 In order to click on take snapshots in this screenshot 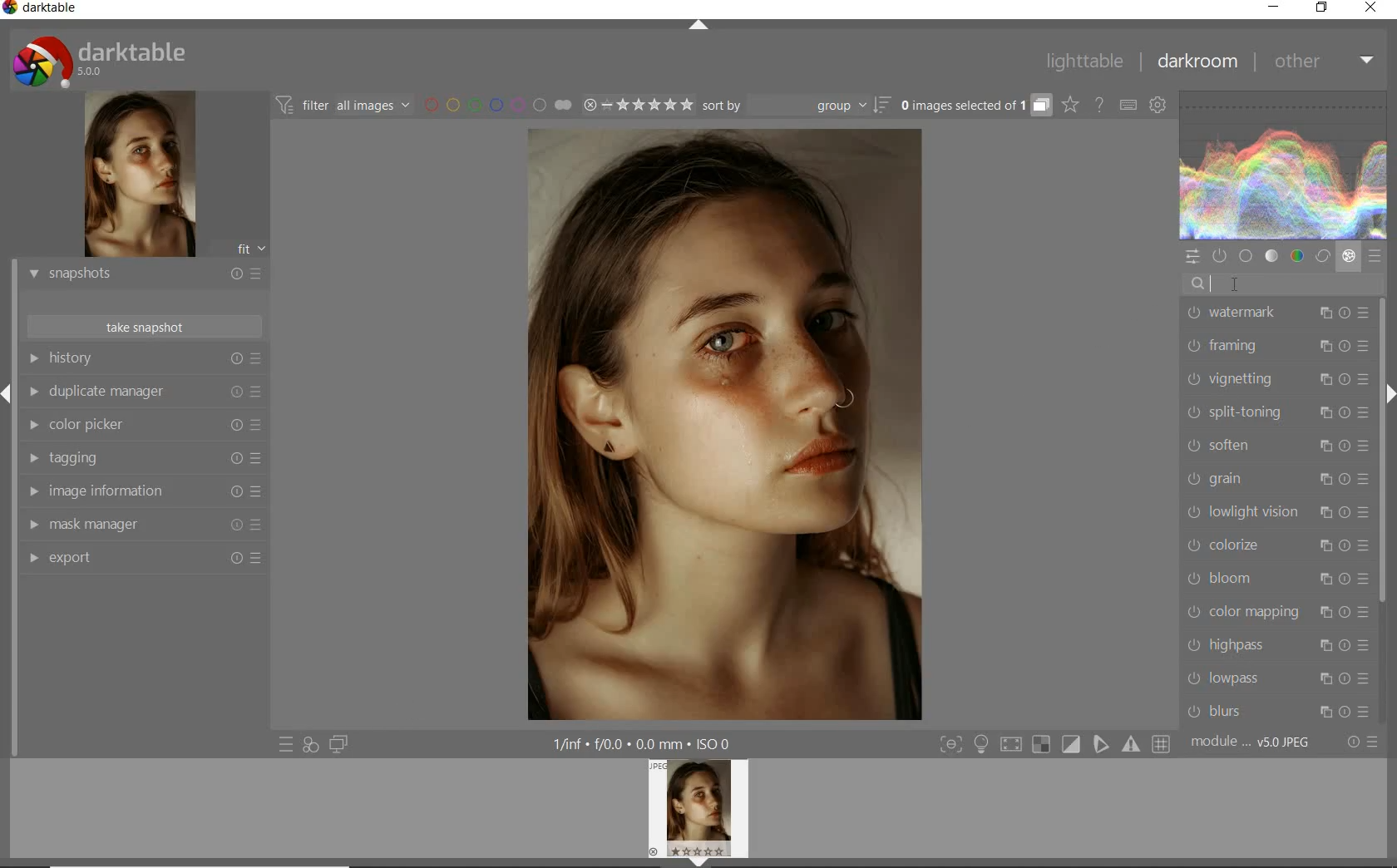, I will do `click(146, 327)`.